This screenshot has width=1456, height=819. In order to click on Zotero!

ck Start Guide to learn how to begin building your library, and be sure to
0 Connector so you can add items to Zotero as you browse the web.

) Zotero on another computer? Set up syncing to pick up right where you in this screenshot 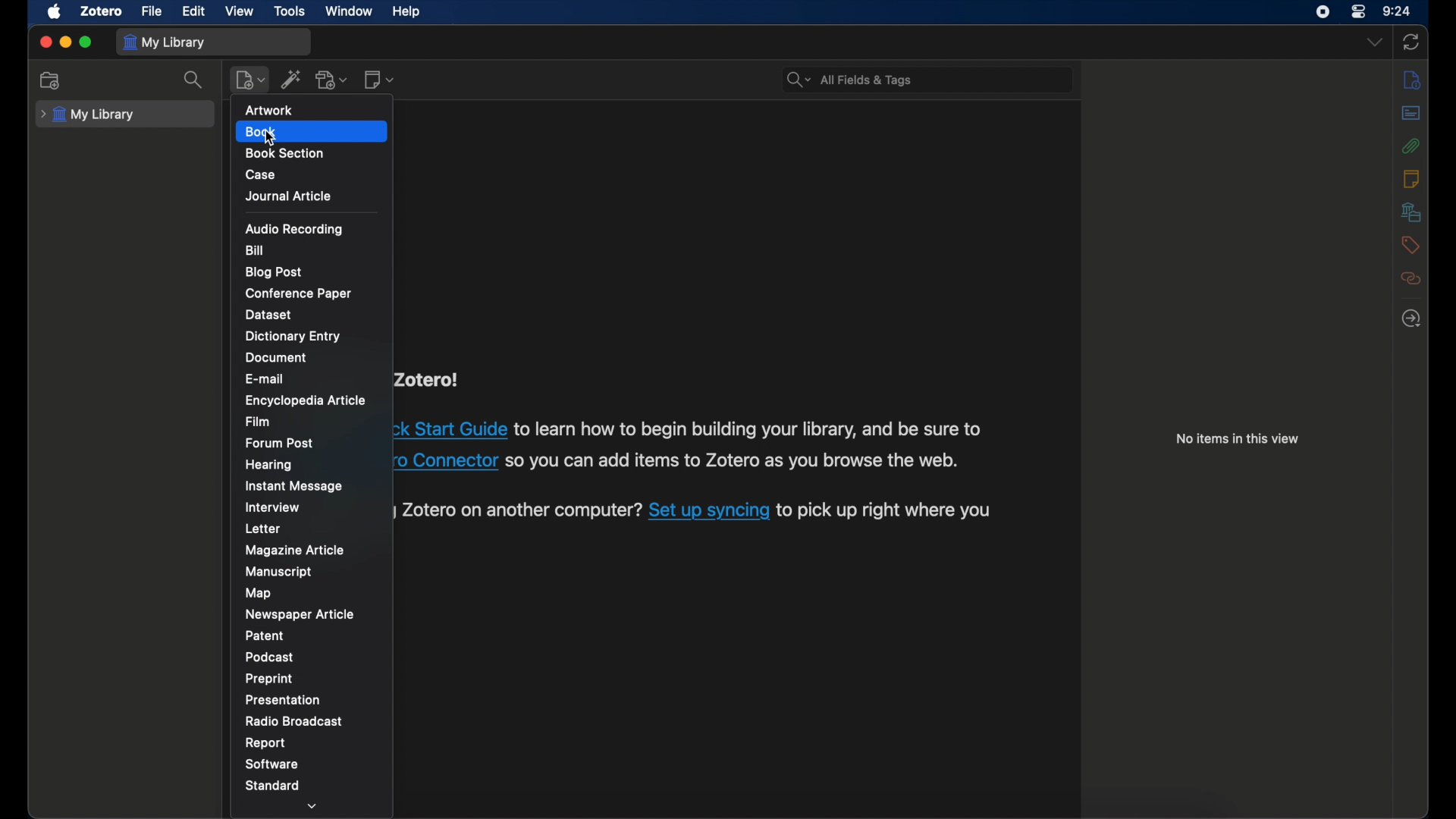, I will do `click(700, 441)`.